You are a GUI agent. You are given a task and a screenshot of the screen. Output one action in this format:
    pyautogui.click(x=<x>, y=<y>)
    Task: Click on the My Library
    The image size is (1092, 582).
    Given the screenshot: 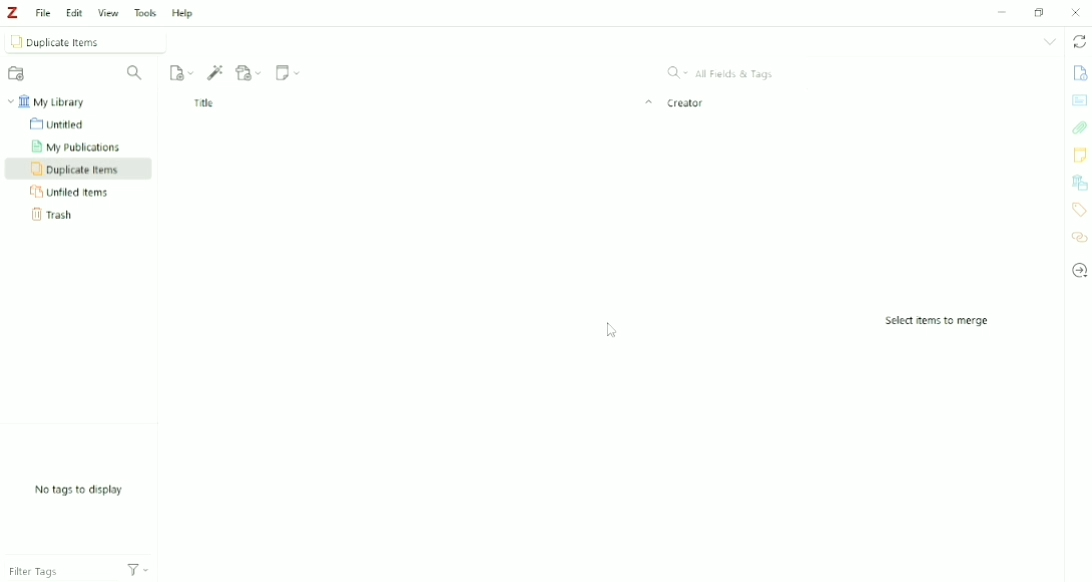 What is the action you would take?
    pyautogui.click(x=51, y=101)
    